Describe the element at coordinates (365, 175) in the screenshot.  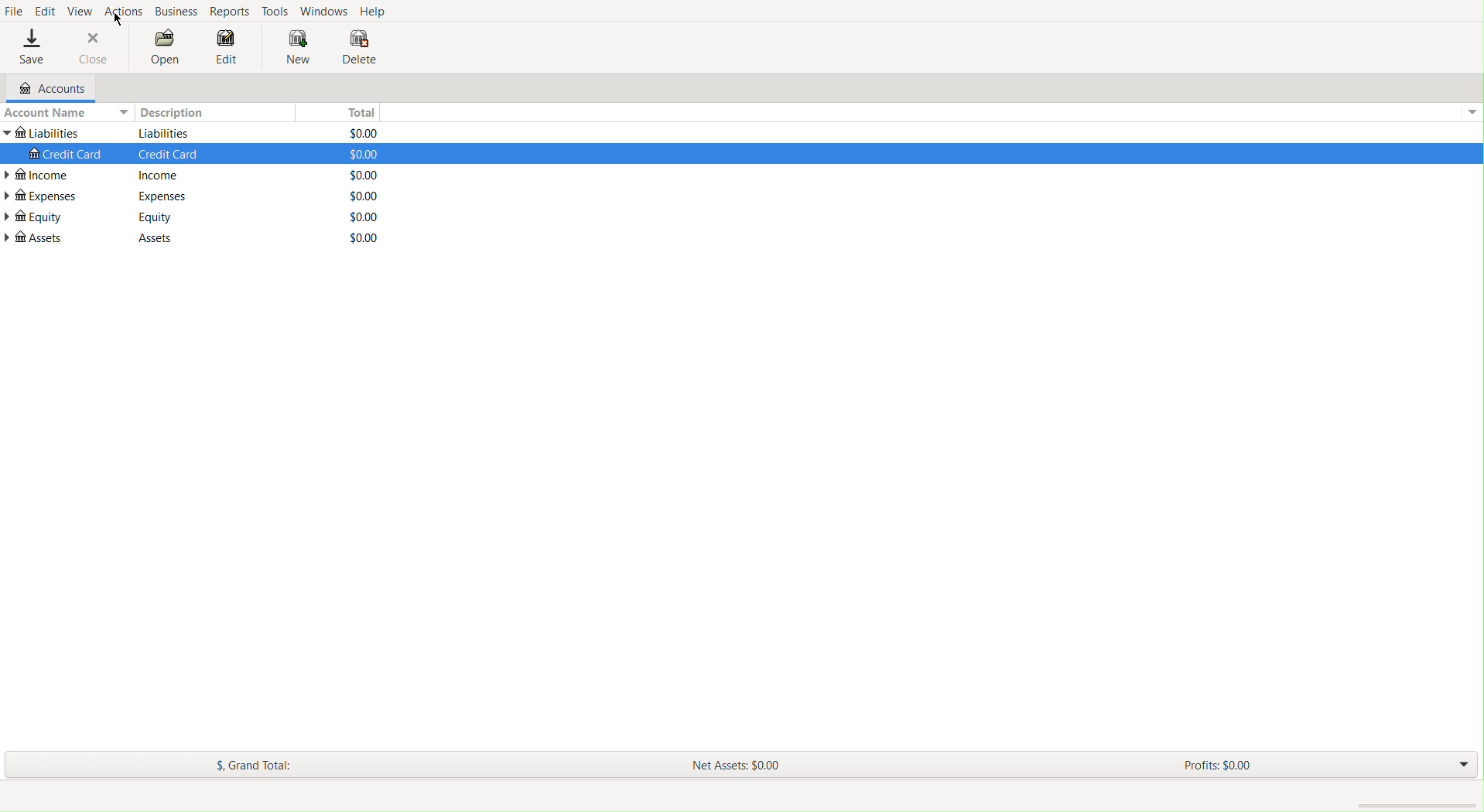
I see `Total` at that location.